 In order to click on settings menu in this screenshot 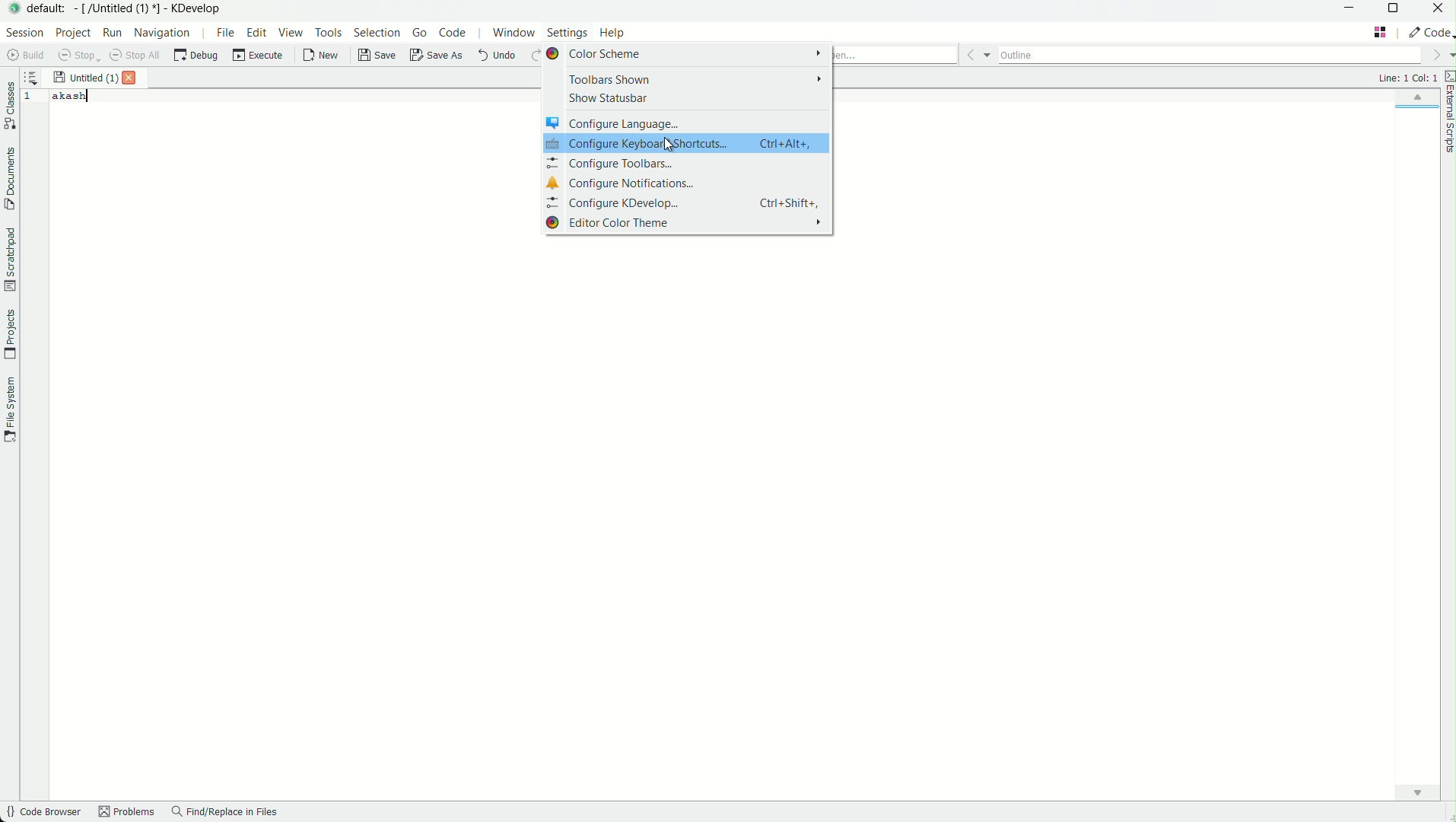, I will do `click(567, 35)`.